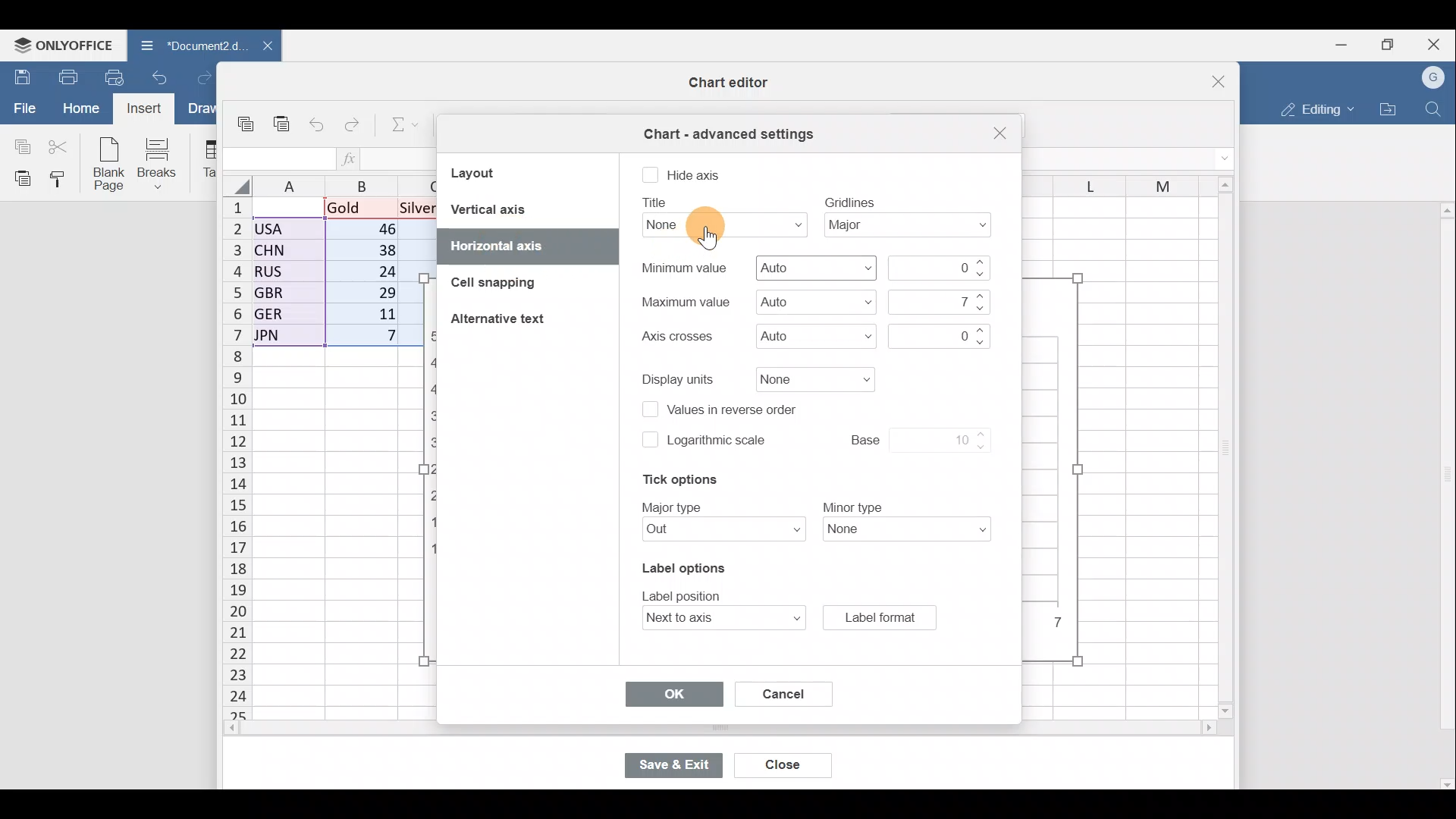 The height and width of the screenshot is (819, 1456). What do you see at coordinates (399, 127) in the screenshot?
I see `Summation` at bounding box center [399, 127].